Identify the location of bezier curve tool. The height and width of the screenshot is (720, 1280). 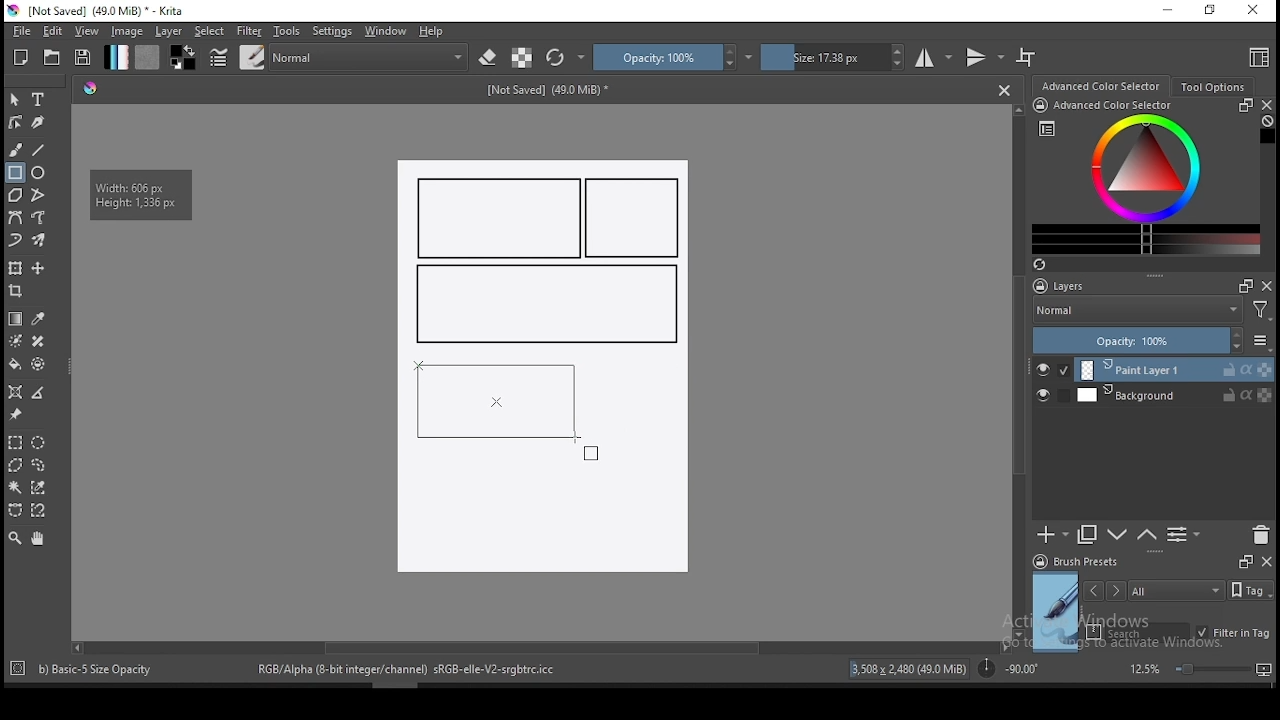
(14, 219).